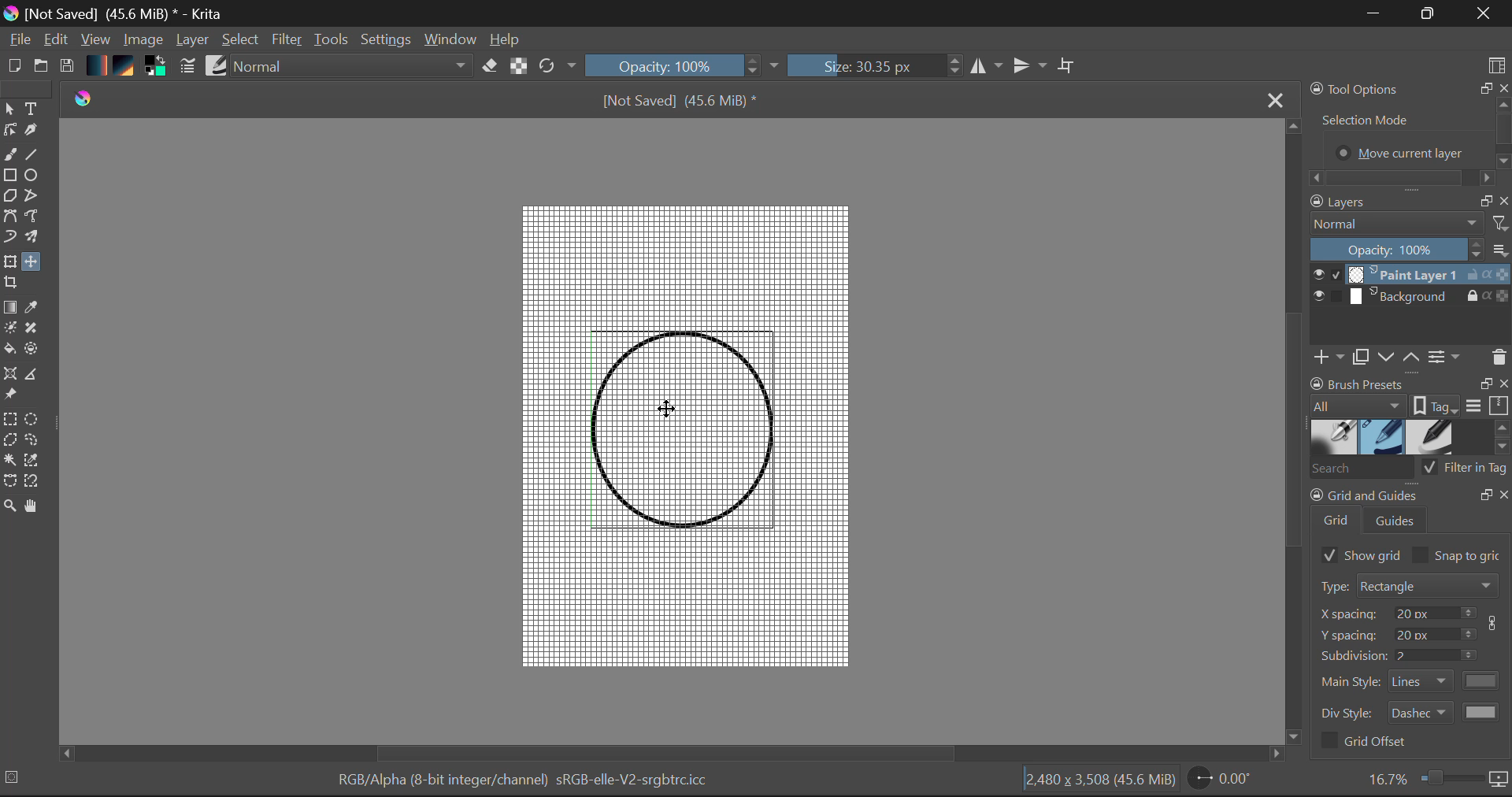 The image size is (1512, 797). Describe the element at coordinates (10, 109) in the screenshot. I see `Select` at that location.